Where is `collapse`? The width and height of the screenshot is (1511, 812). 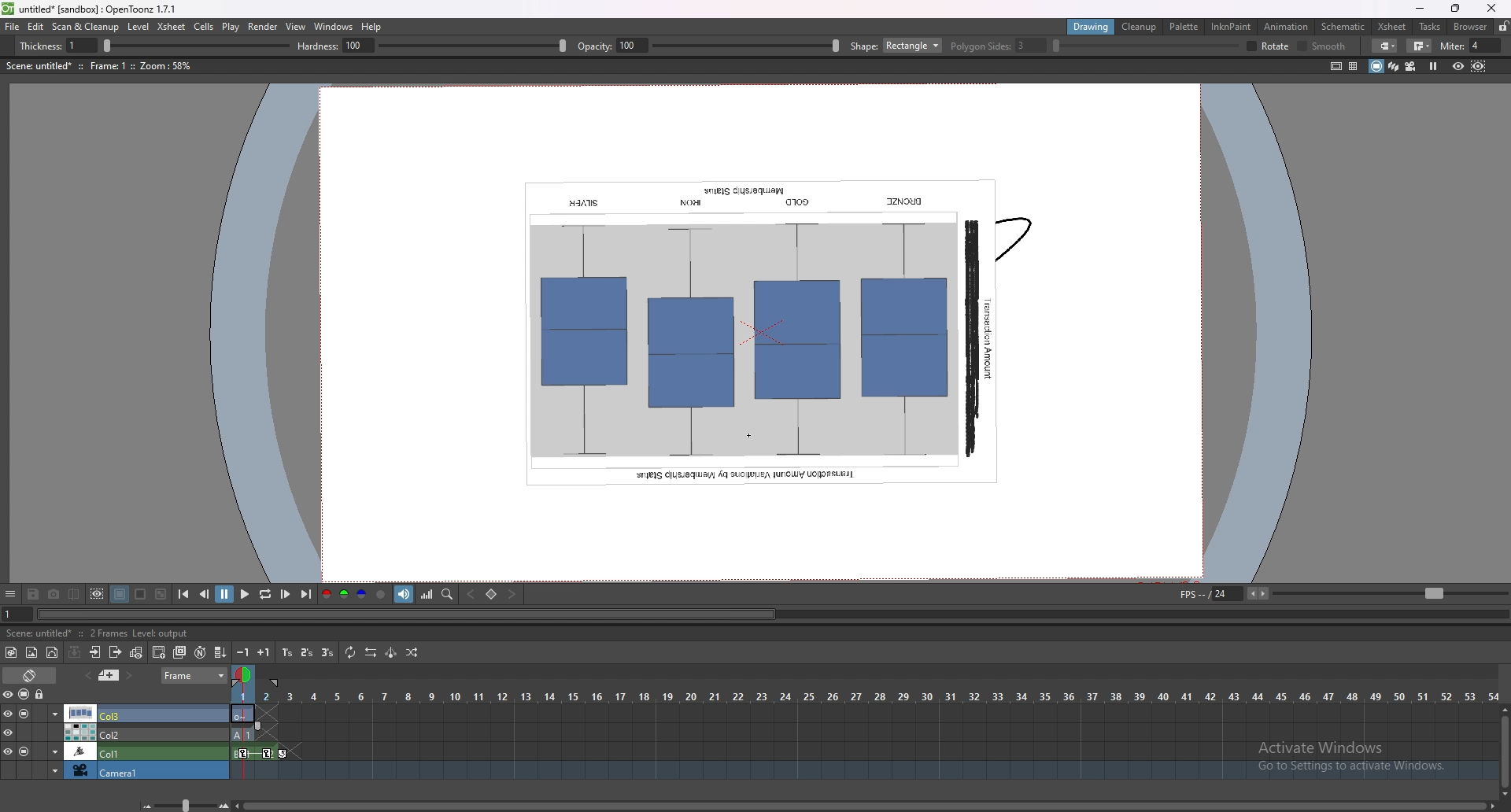
collapse is located at coordinates (74, 651).